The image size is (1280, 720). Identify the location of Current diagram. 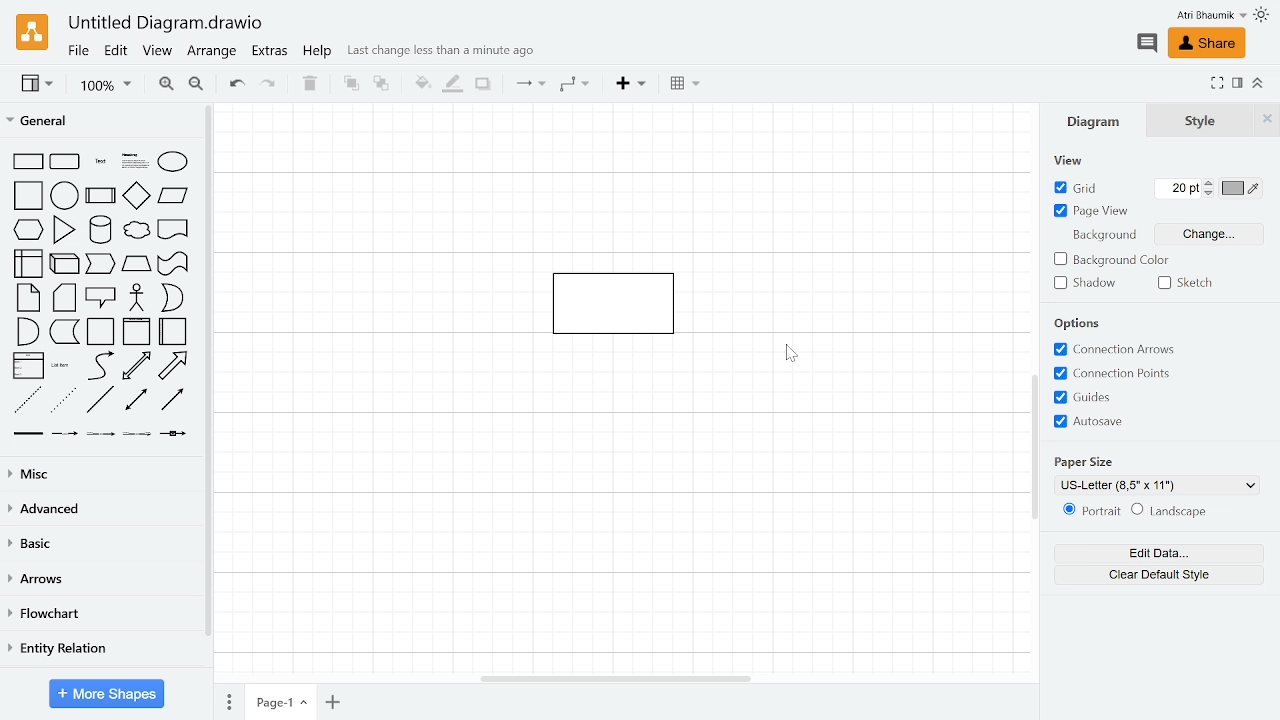
(623, 296).